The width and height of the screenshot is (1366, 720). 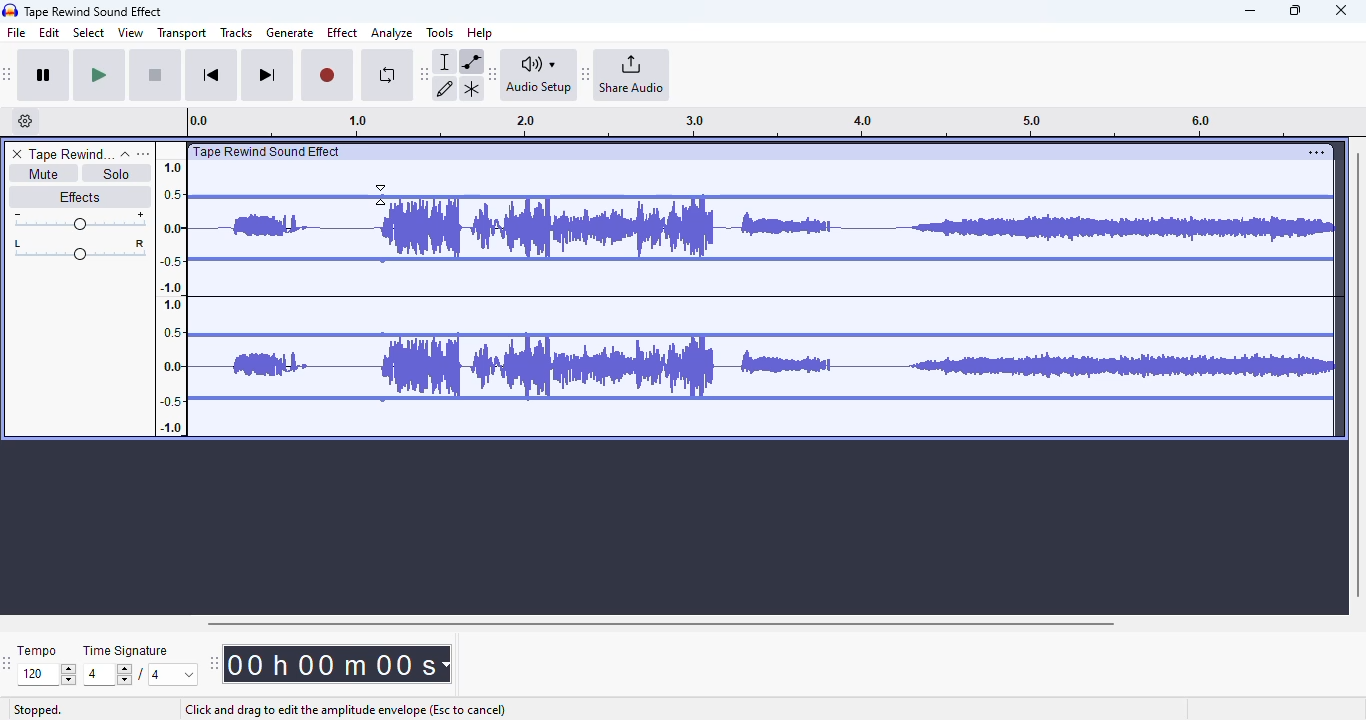 I want to click on Control point, so click(x=383, y=197).